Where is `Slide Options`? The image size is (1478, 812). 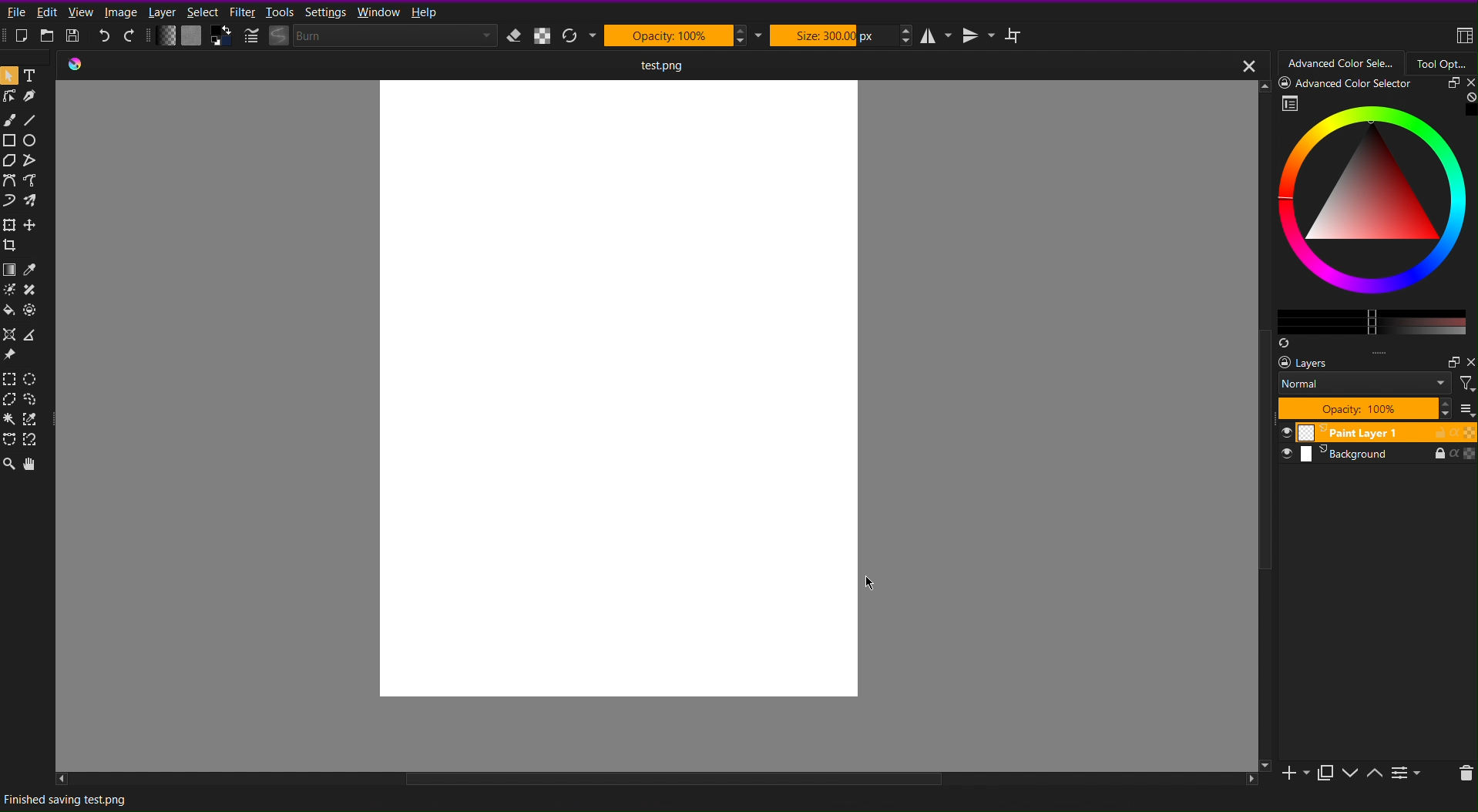
Slide Options is located at coordinates (1353, 774).